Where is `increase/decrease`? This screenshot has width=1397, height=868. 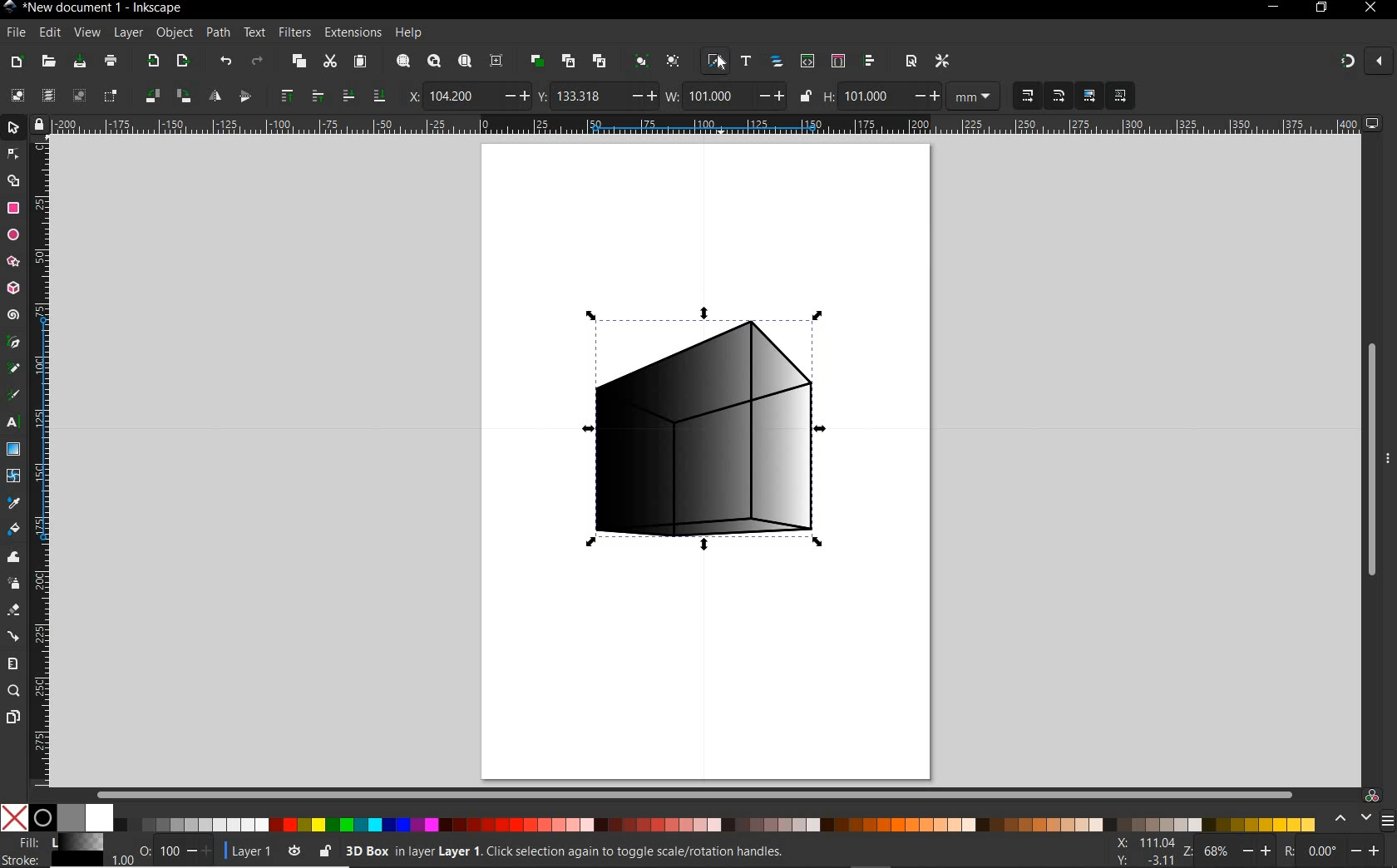
increase/decrease is located at coordinates (1258, 850).